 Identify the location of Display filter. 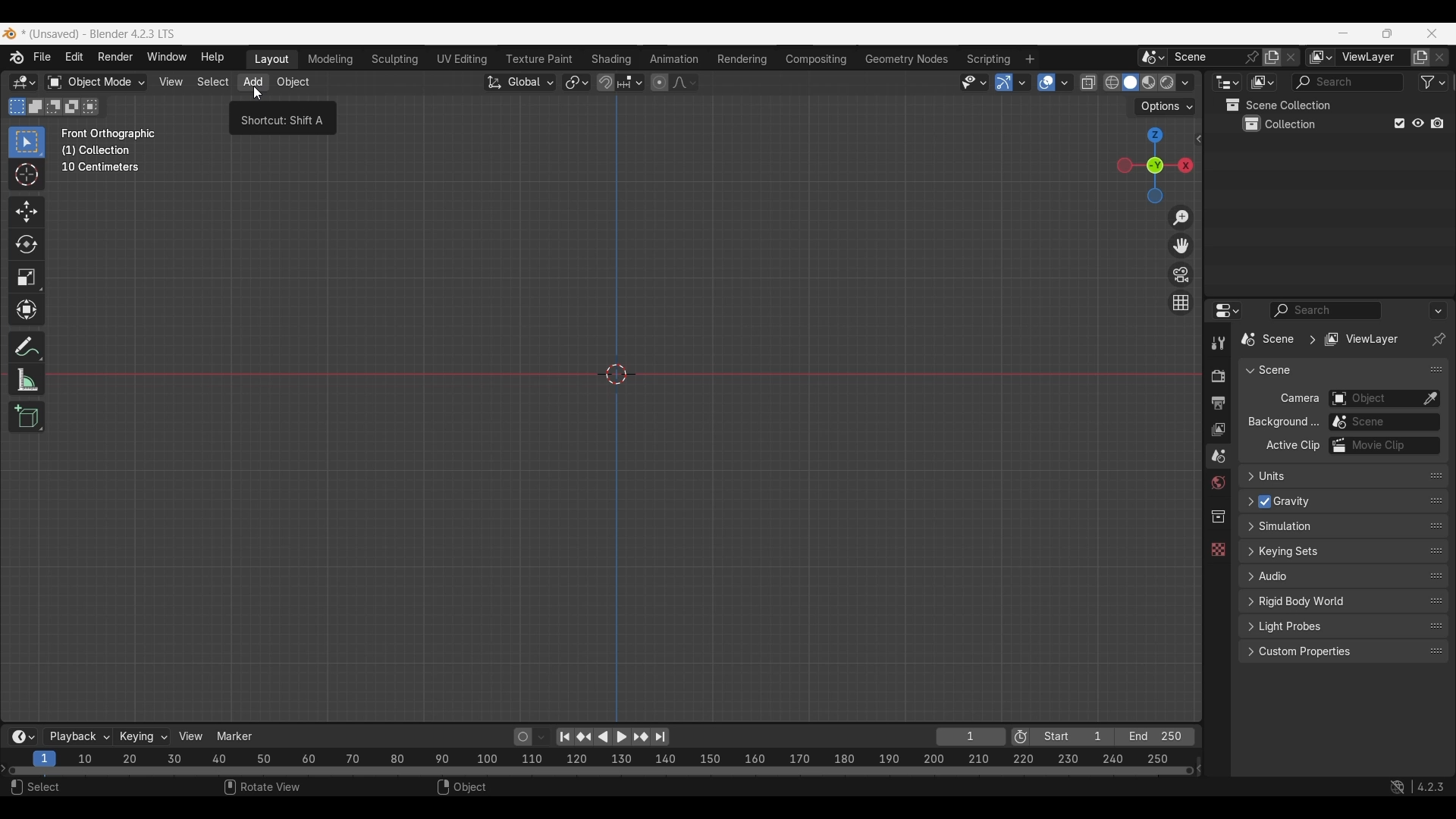
(1348, 82).